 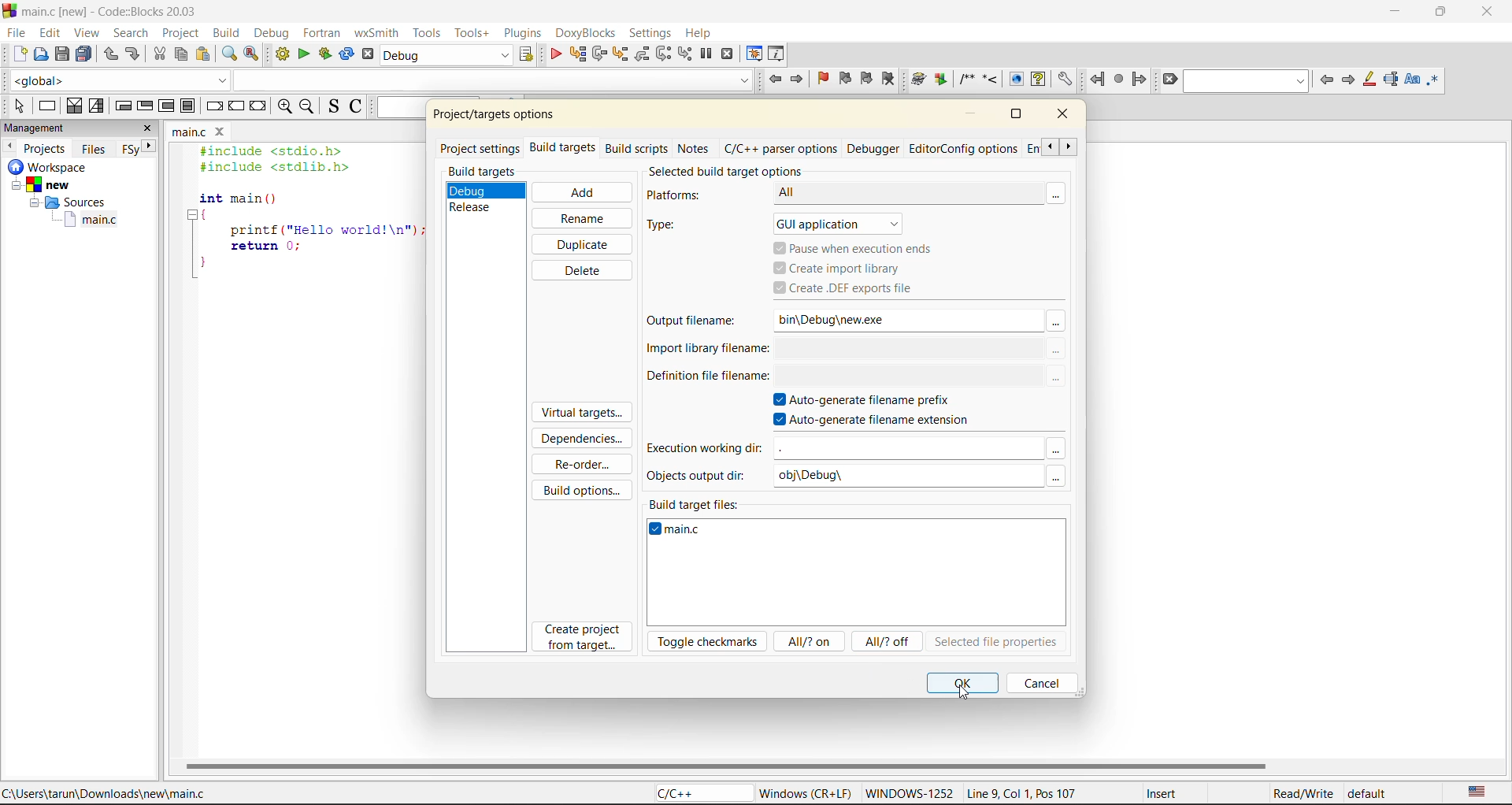 I want to click on clear boo, so click(x=891, y=81).